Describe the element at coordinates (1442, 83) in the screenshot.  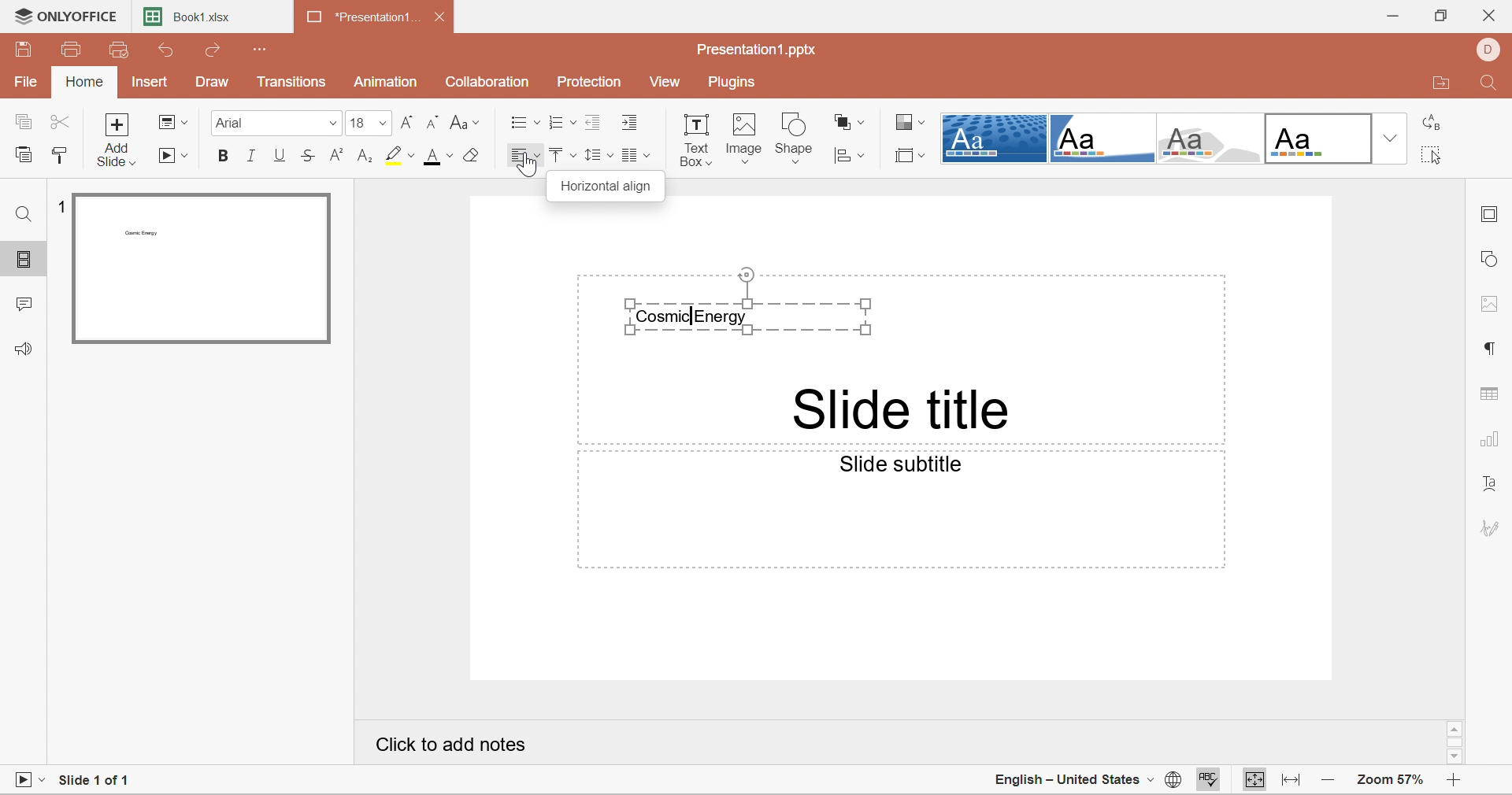
I see `Open file location` at that location.